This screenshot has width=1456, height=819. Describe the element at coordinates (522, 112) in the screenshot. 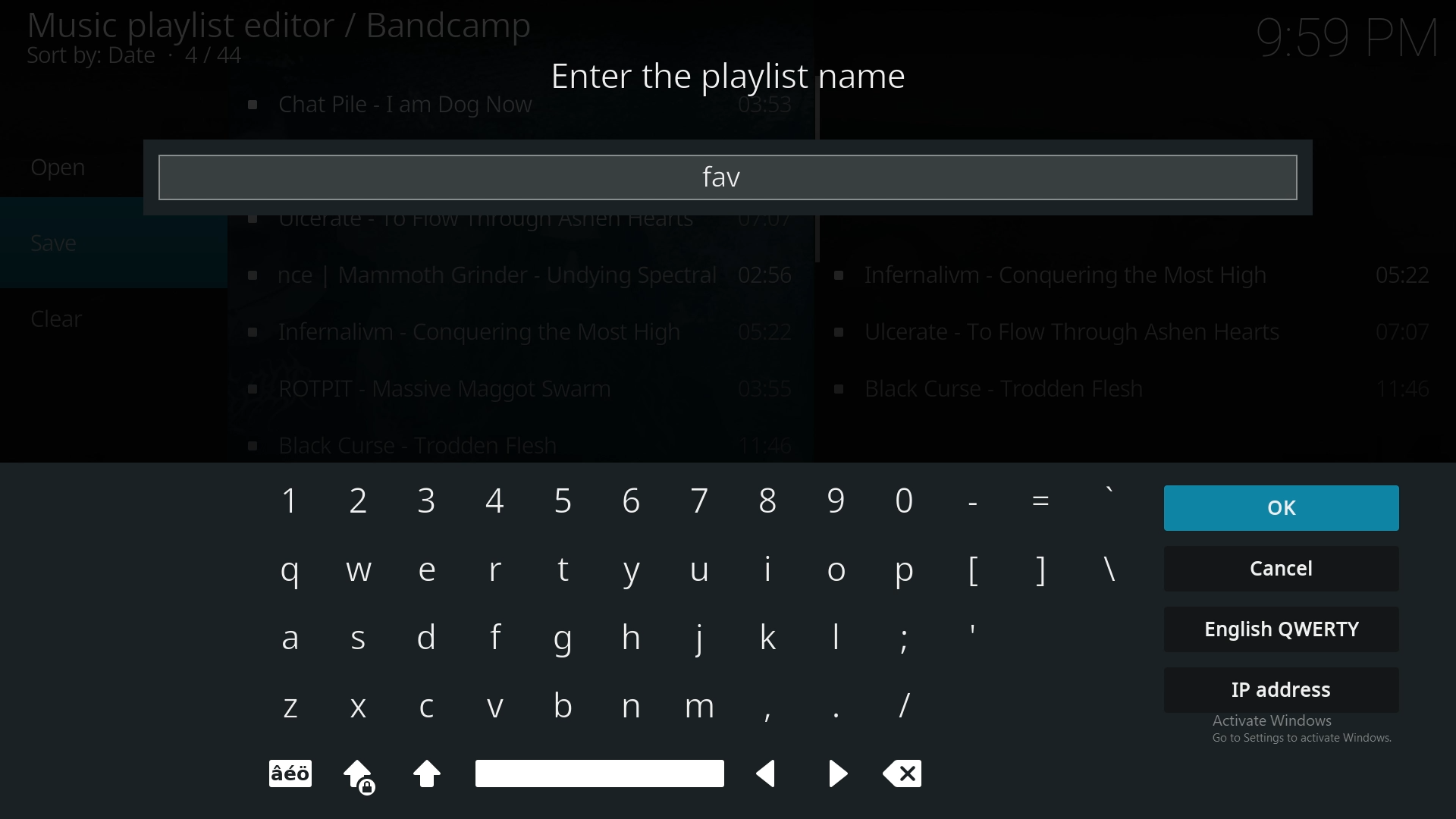

I see `music` at that location.